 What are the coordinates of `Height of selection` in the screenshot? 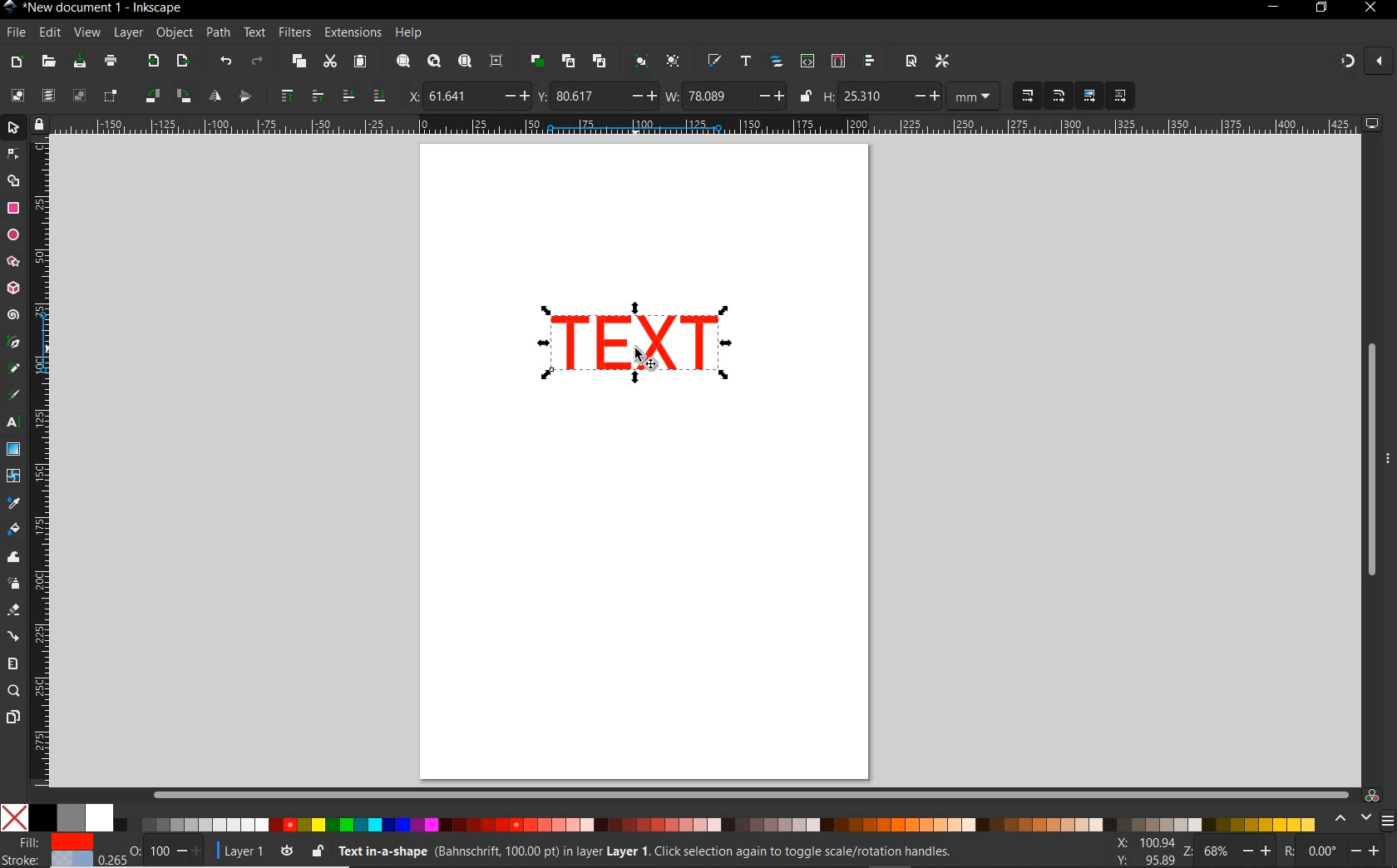 It's located at (881, 96).